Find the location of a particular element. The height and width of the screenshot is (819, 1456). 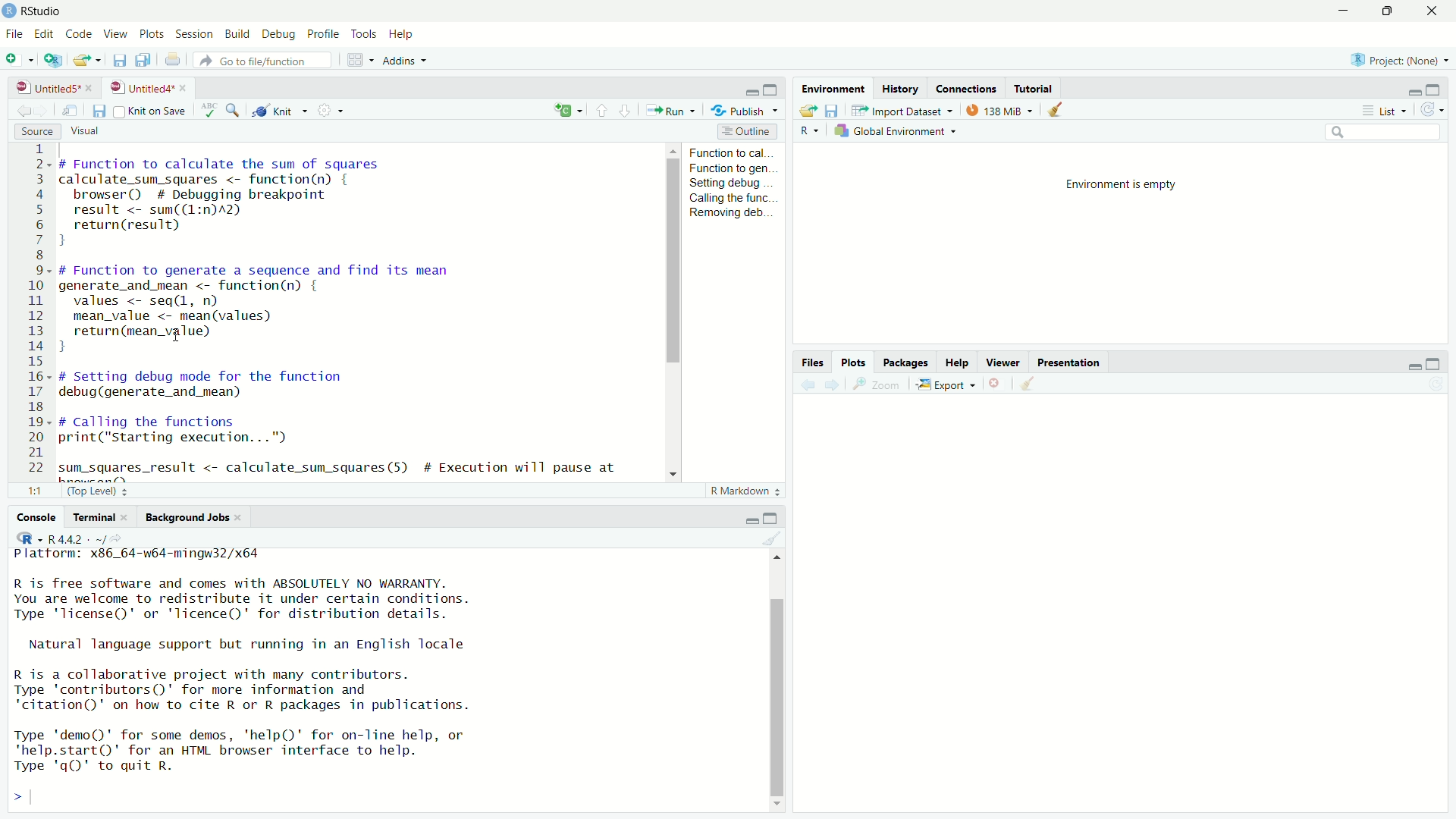

edit is located at coordinates (45, 35).